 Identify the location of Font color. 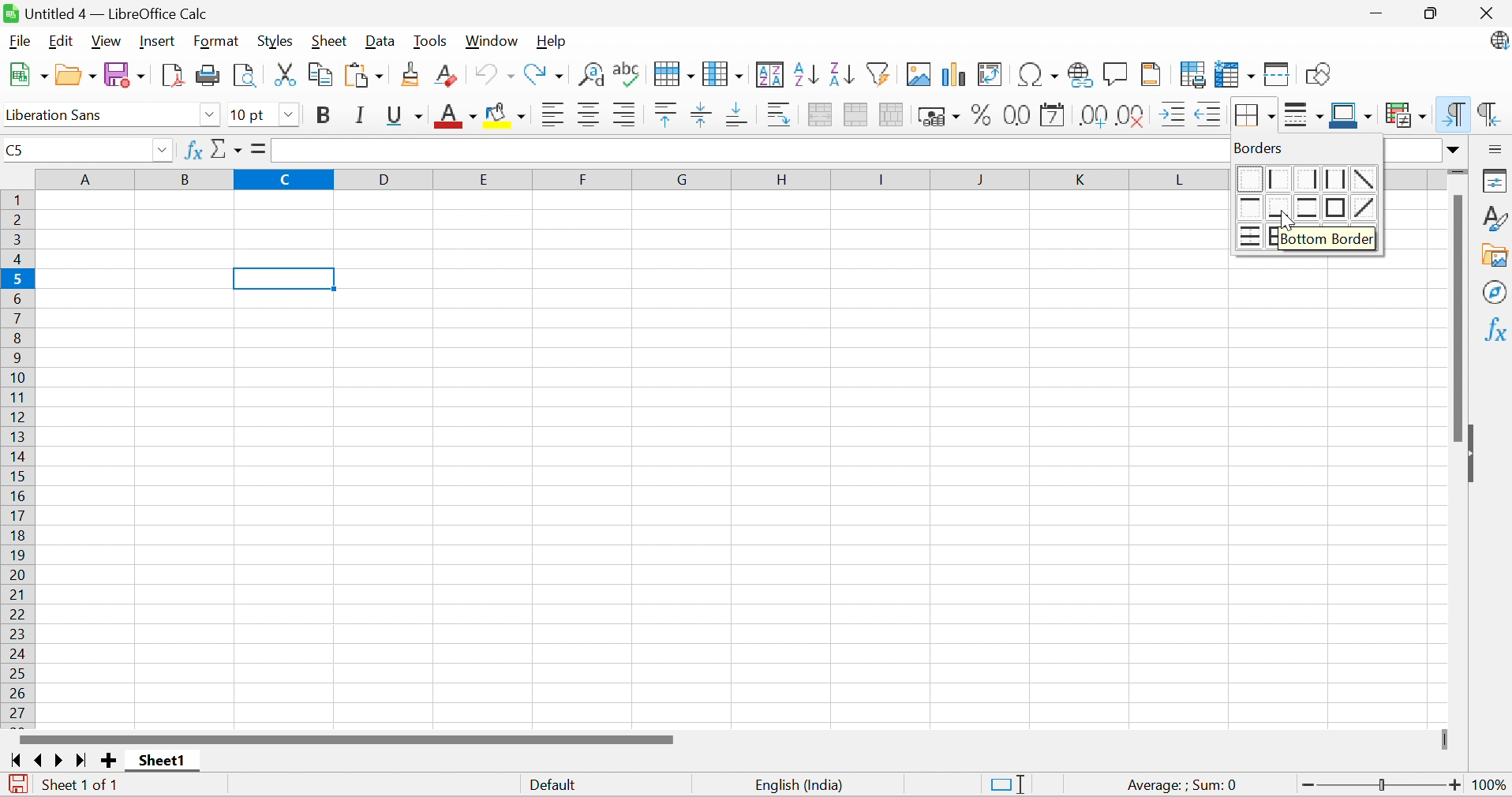
(458, 118).